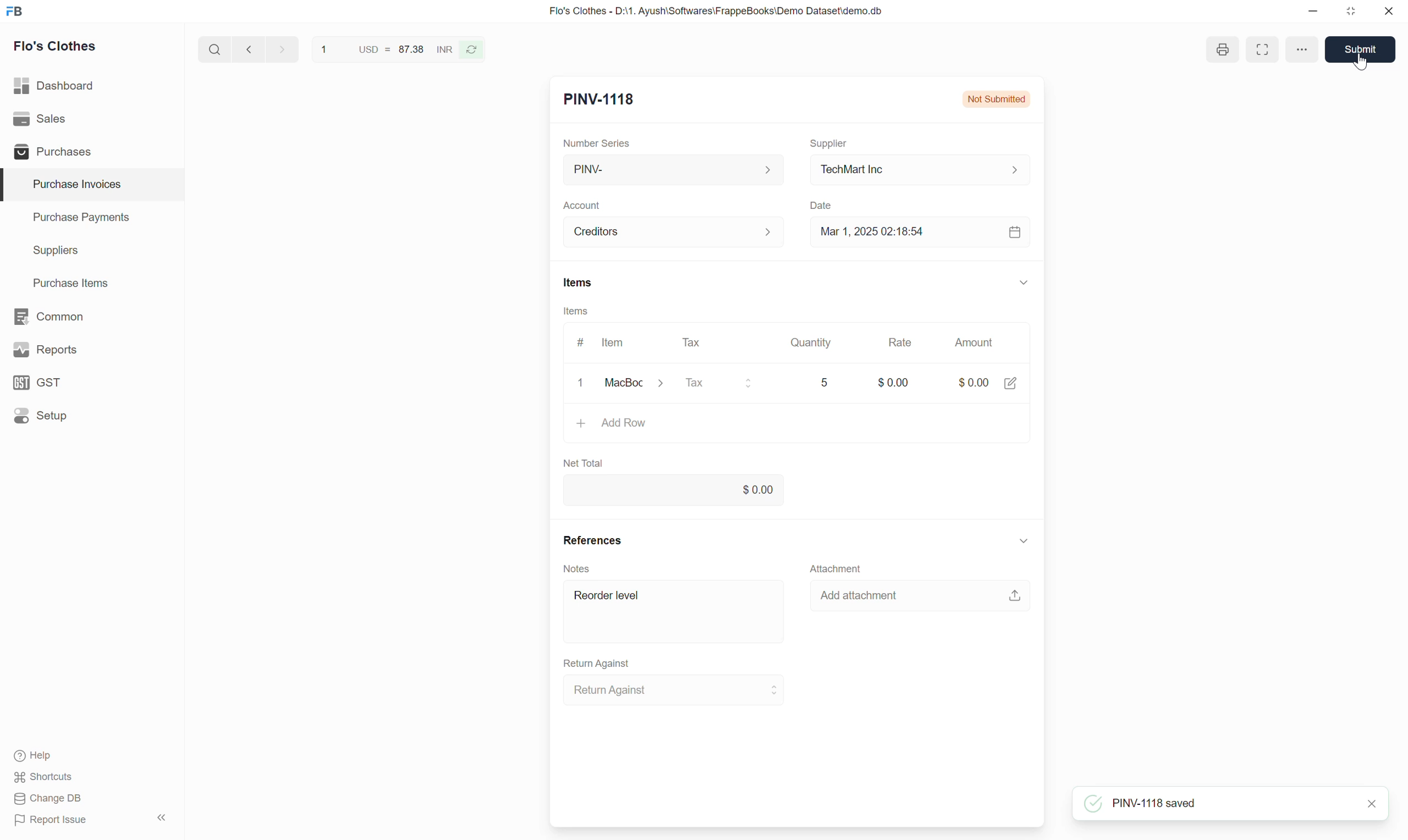  What do you see at coordinates (577, 569) in the screenshot?
I see `Notes` at bounding box center [577, 569].